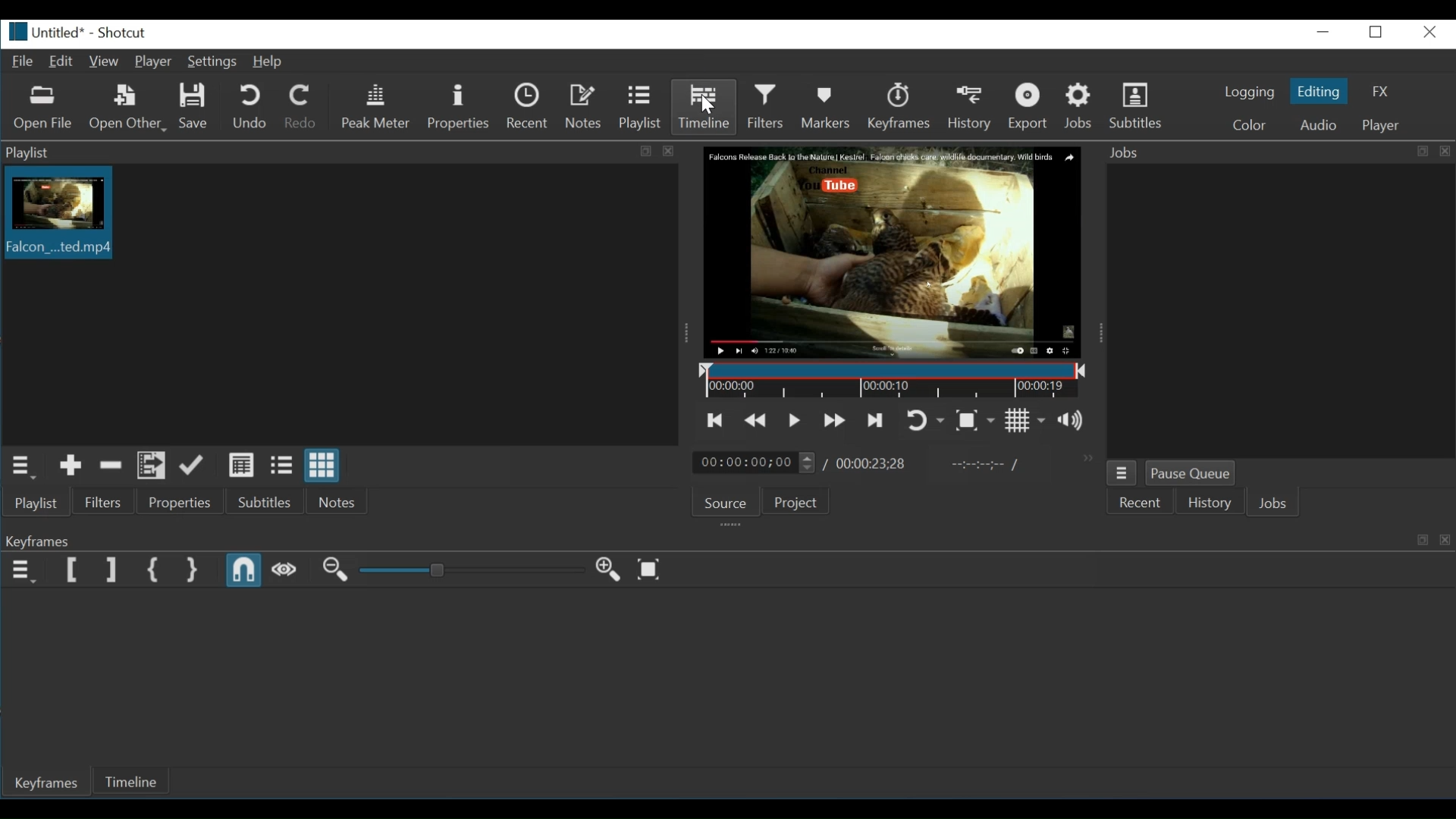  I want to click on jobs panel, so click(1280, 309).